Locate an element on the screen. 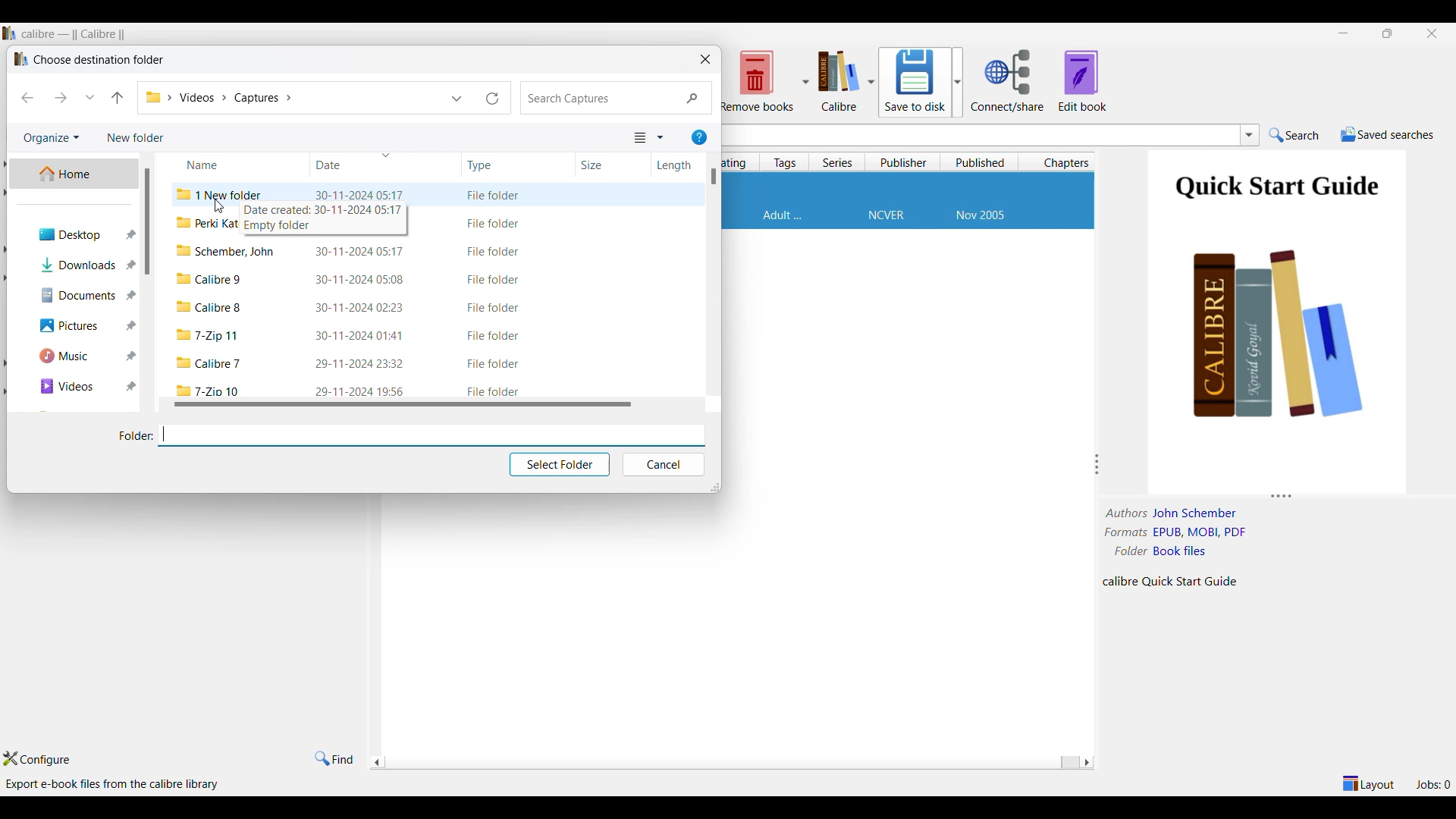 This screenshot has width=1456, height=819. date is located at coordinates (359, 252).